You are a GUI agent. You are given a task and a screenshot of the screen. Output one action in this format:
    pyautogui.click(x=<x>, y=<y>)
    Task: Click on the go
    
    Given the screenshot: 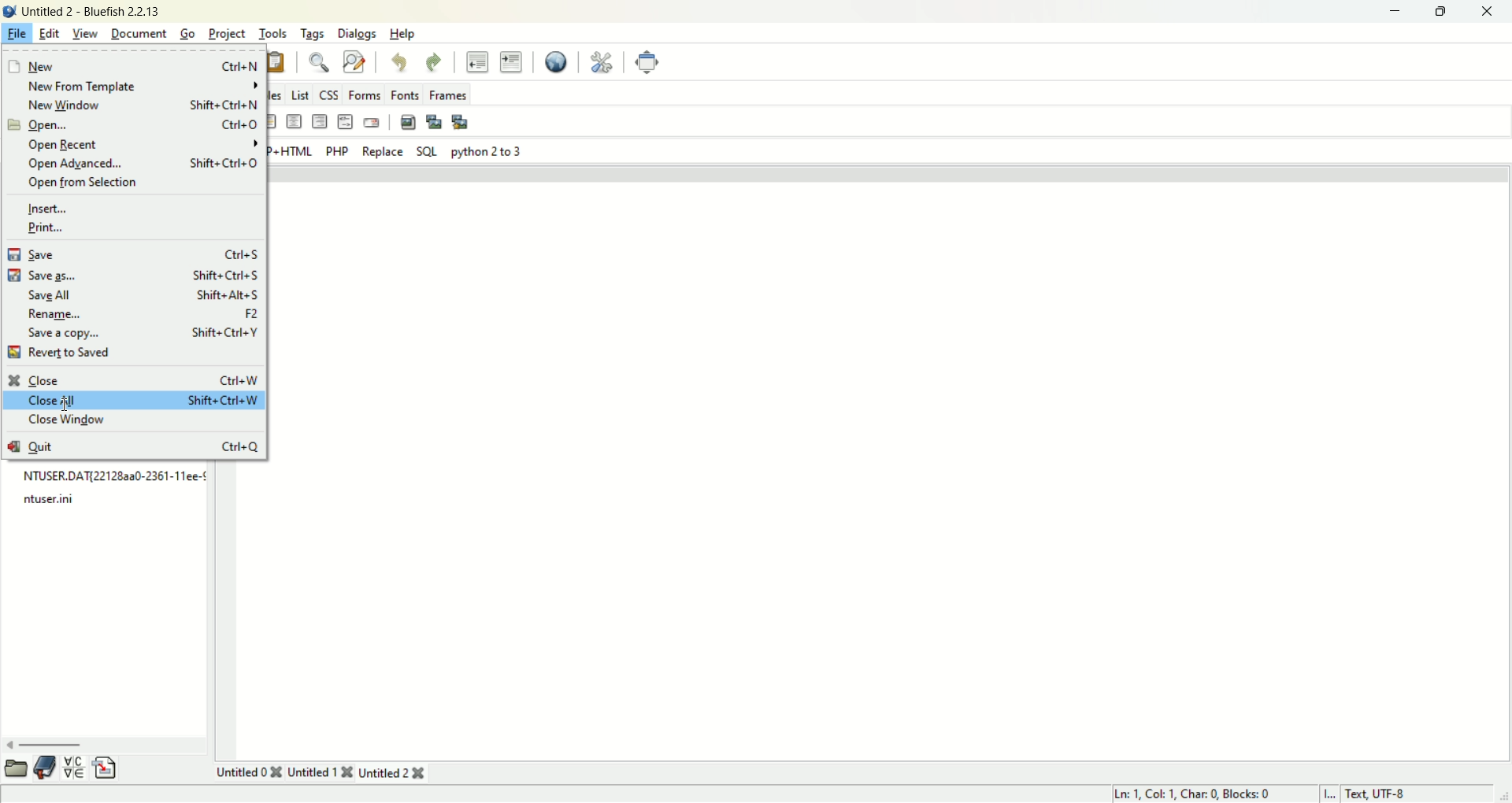 What is the action you would take?
    pyautogui.click(x=187, y=31)
    